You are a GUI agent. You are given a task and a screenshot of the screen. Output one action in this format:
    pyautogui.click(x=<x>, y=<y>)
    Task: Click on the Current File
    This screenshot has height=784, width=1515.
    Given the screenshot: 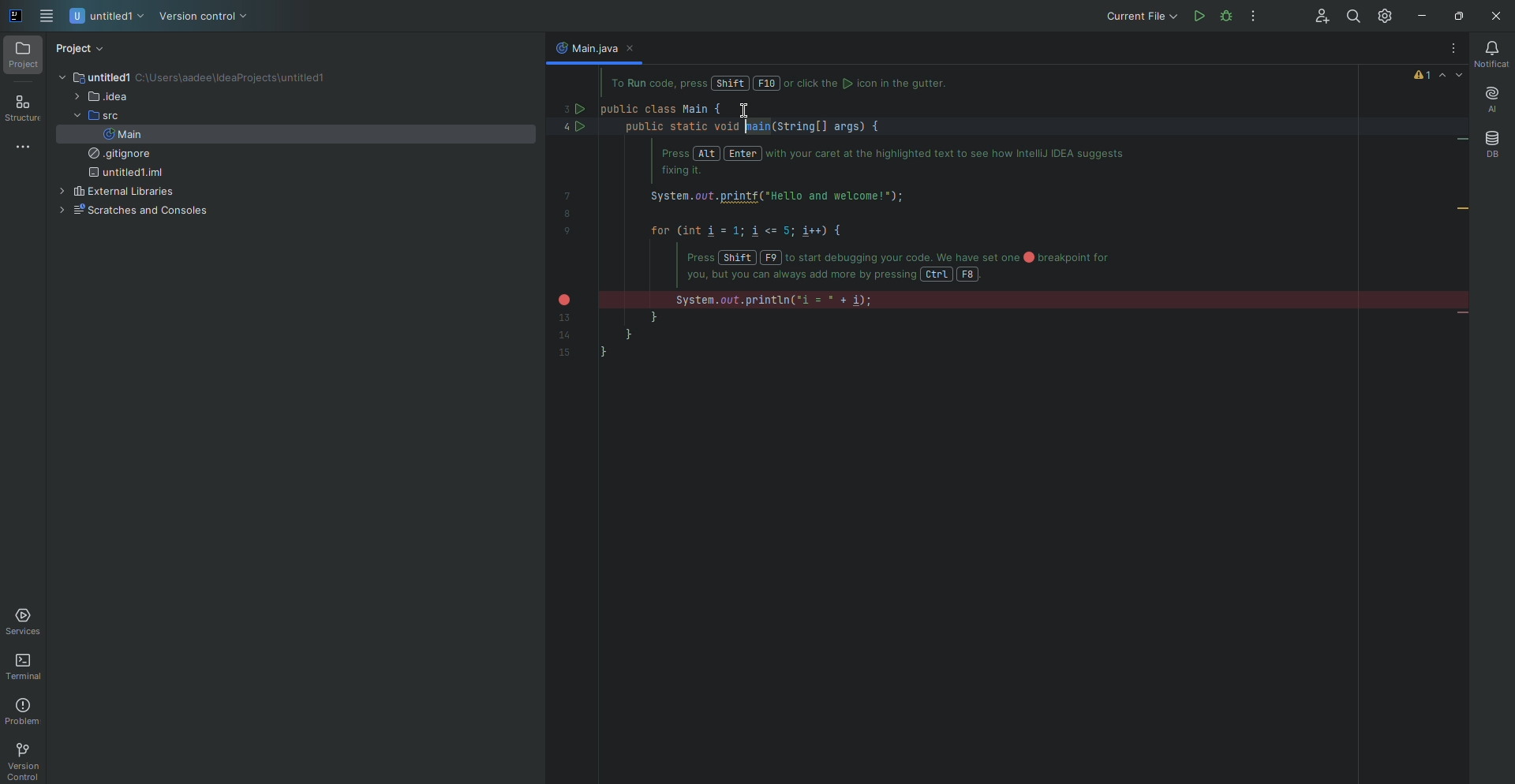 What is the action you would take?
    pyautogui.click(x=1139, y=16)
    